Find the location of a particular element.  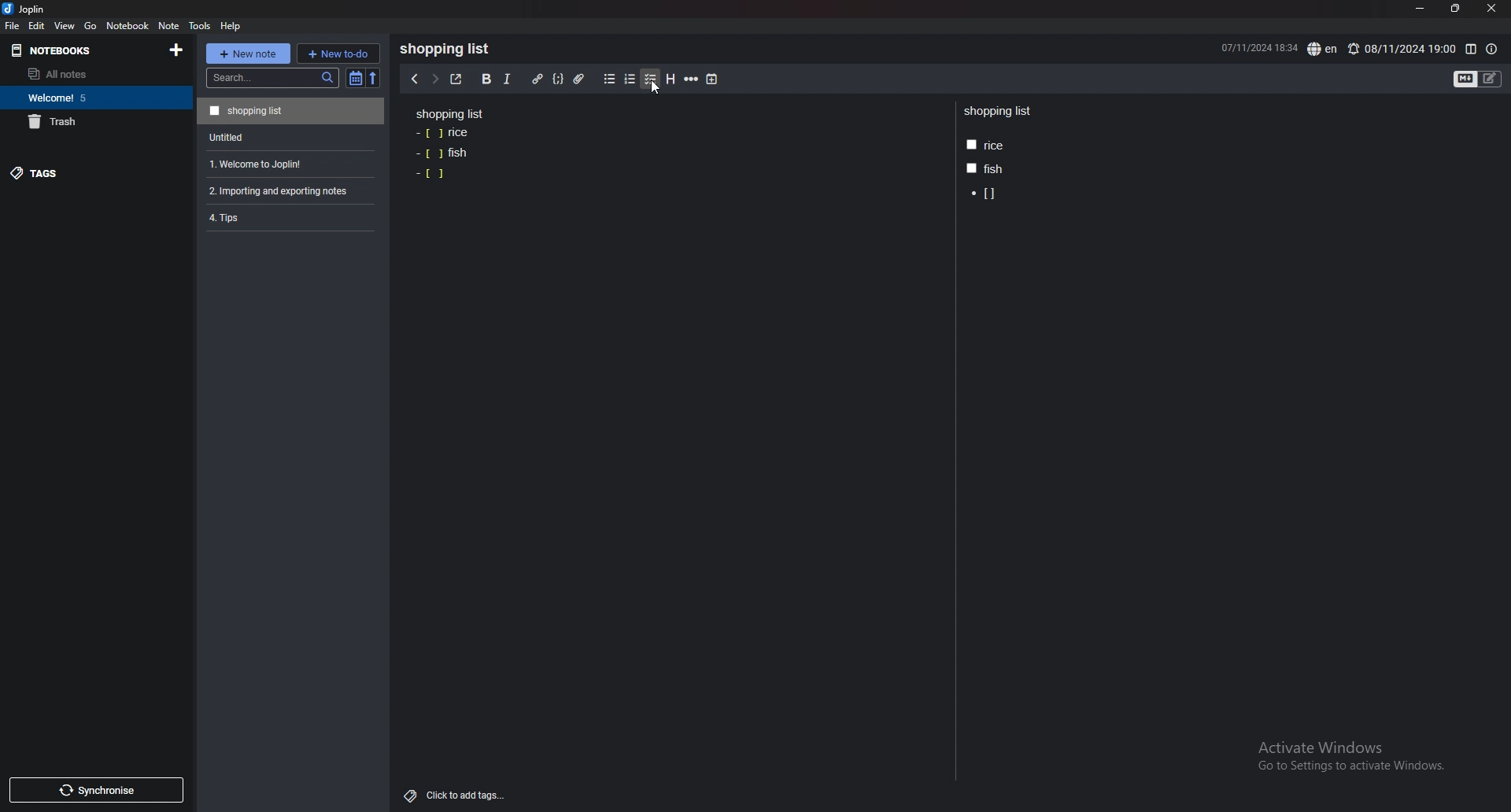

notebooks is located at coordinates (72, 51).